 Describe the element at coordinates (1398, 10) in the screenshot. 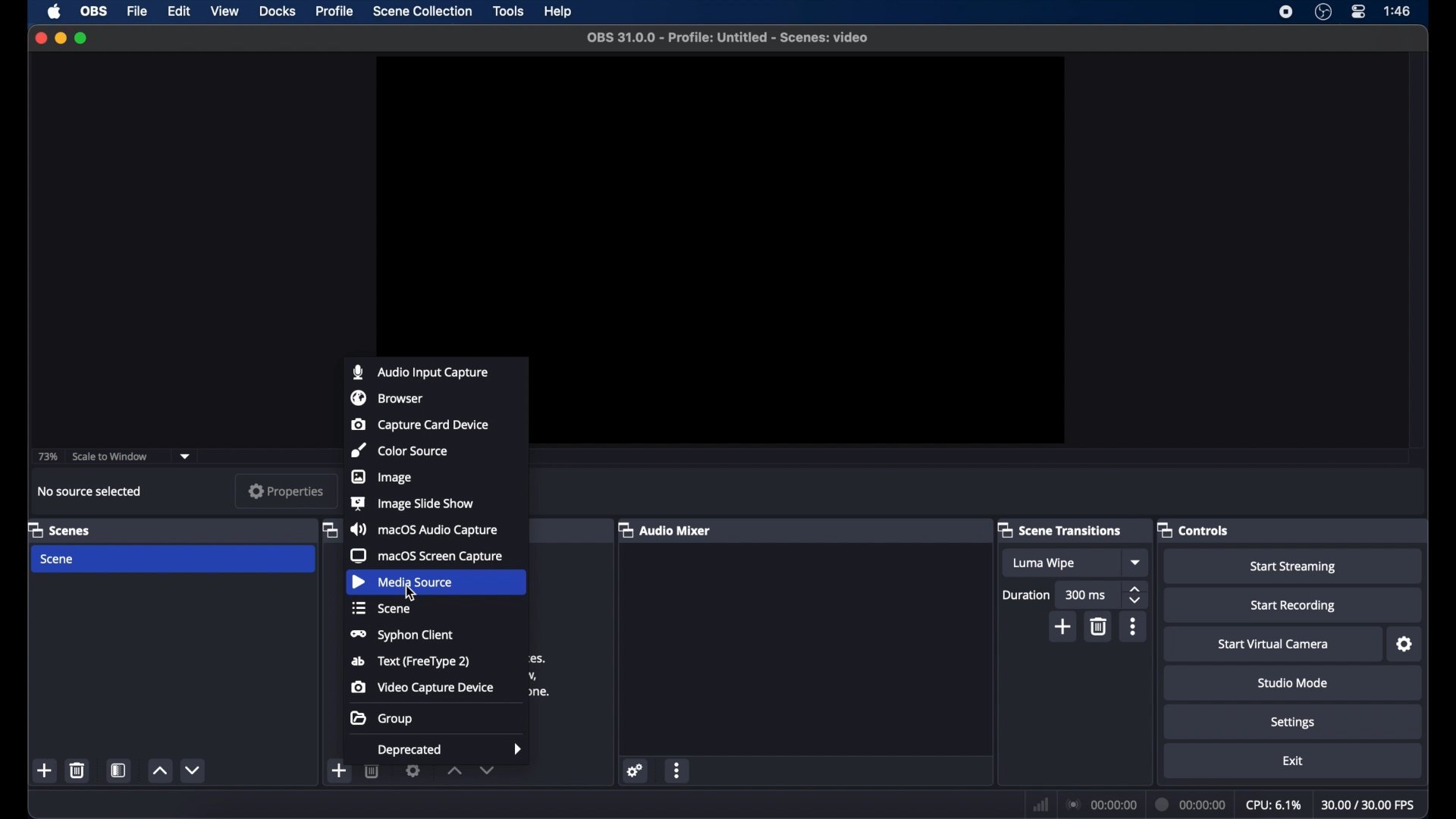

I see `time` at that location.